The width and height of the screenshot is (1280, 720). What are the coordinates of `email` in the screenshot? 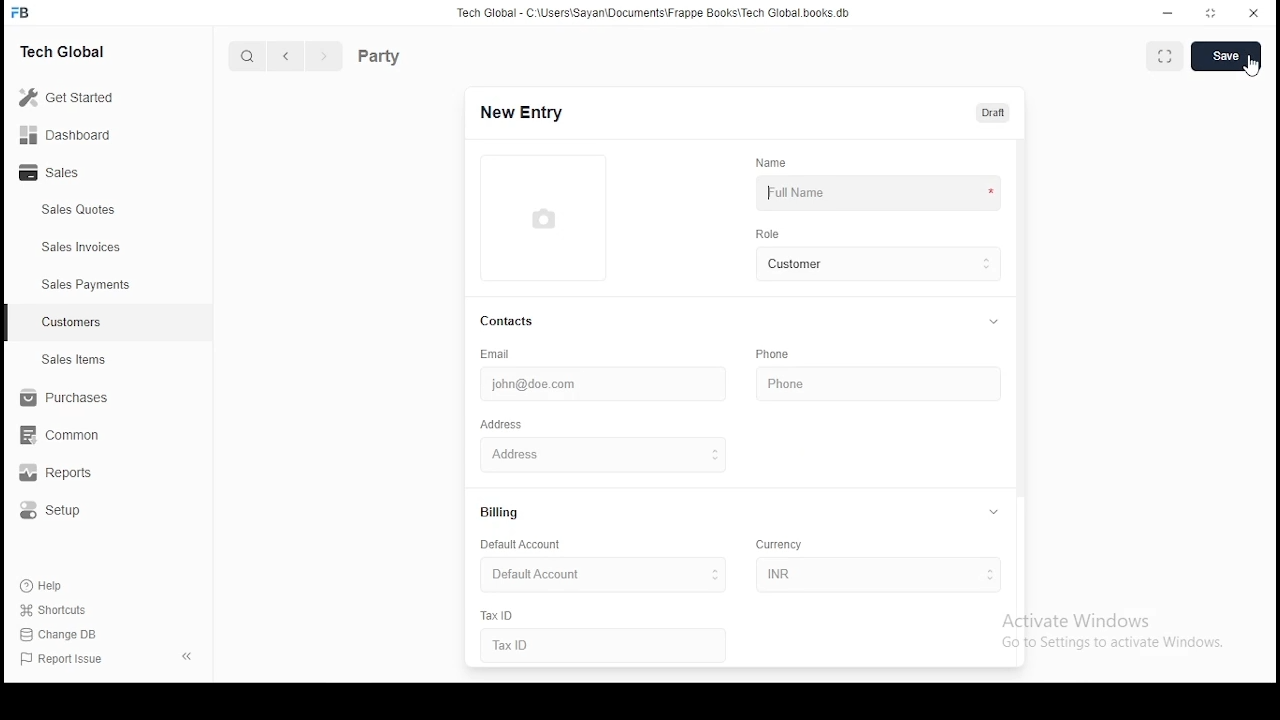 It's located at (497, 354).